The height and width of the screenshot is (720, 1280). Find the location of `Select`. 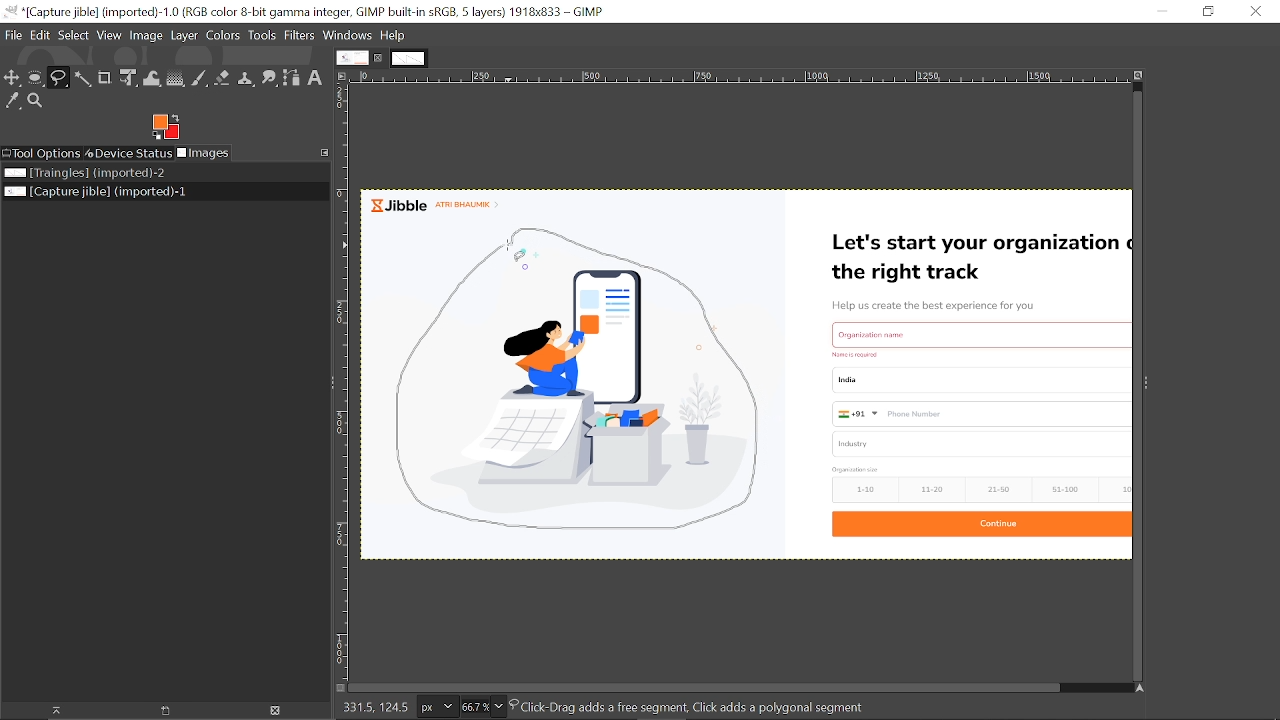

Select is located at coordinates (74, 35).